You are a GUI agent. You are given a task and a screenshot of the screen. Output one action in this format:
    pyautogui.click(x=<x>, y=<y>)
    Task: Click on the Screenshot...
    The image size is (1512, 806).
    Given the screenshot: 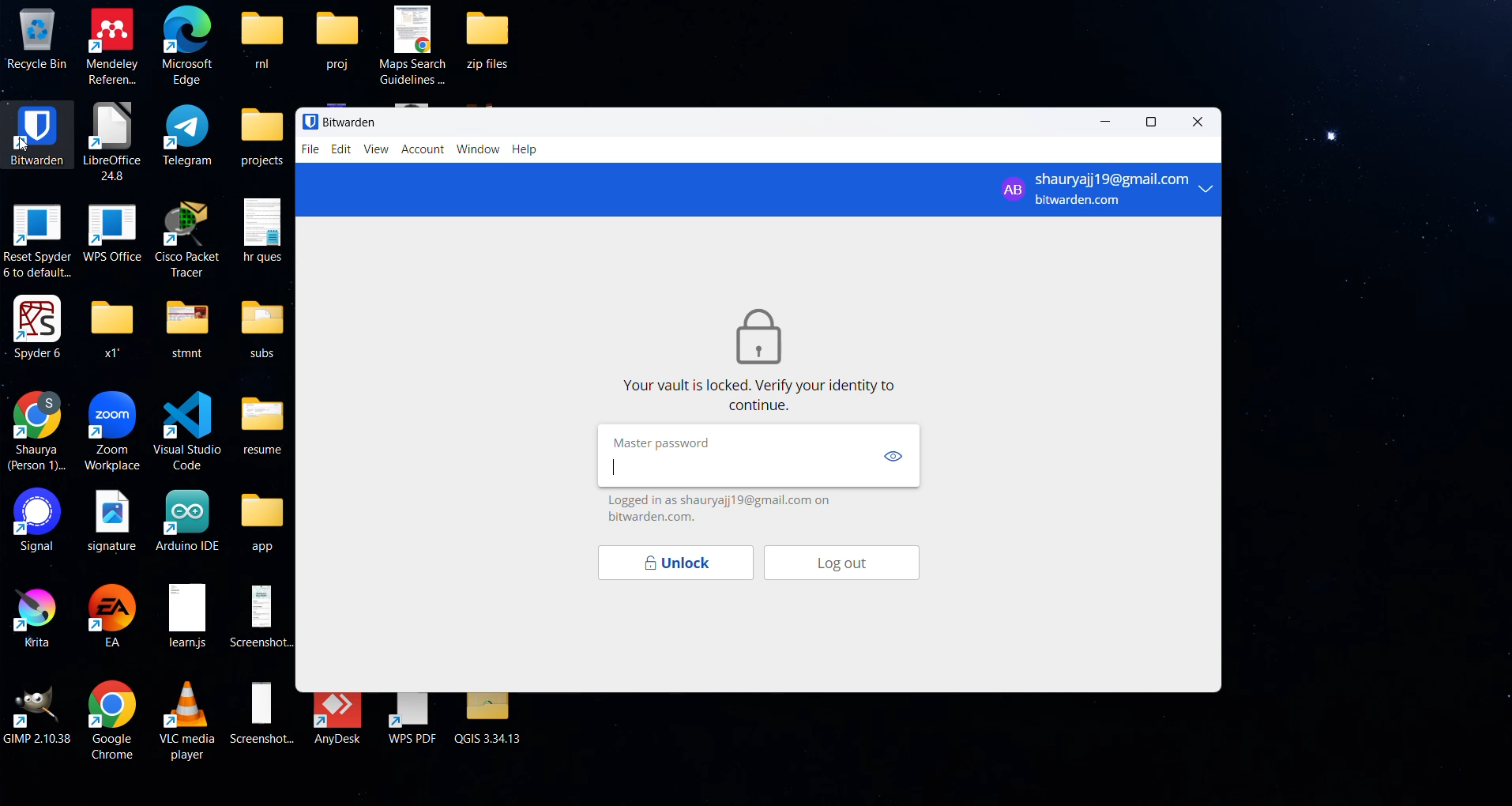 What is the action you would take?
    pyautogui.click(x=265, y=615)
    